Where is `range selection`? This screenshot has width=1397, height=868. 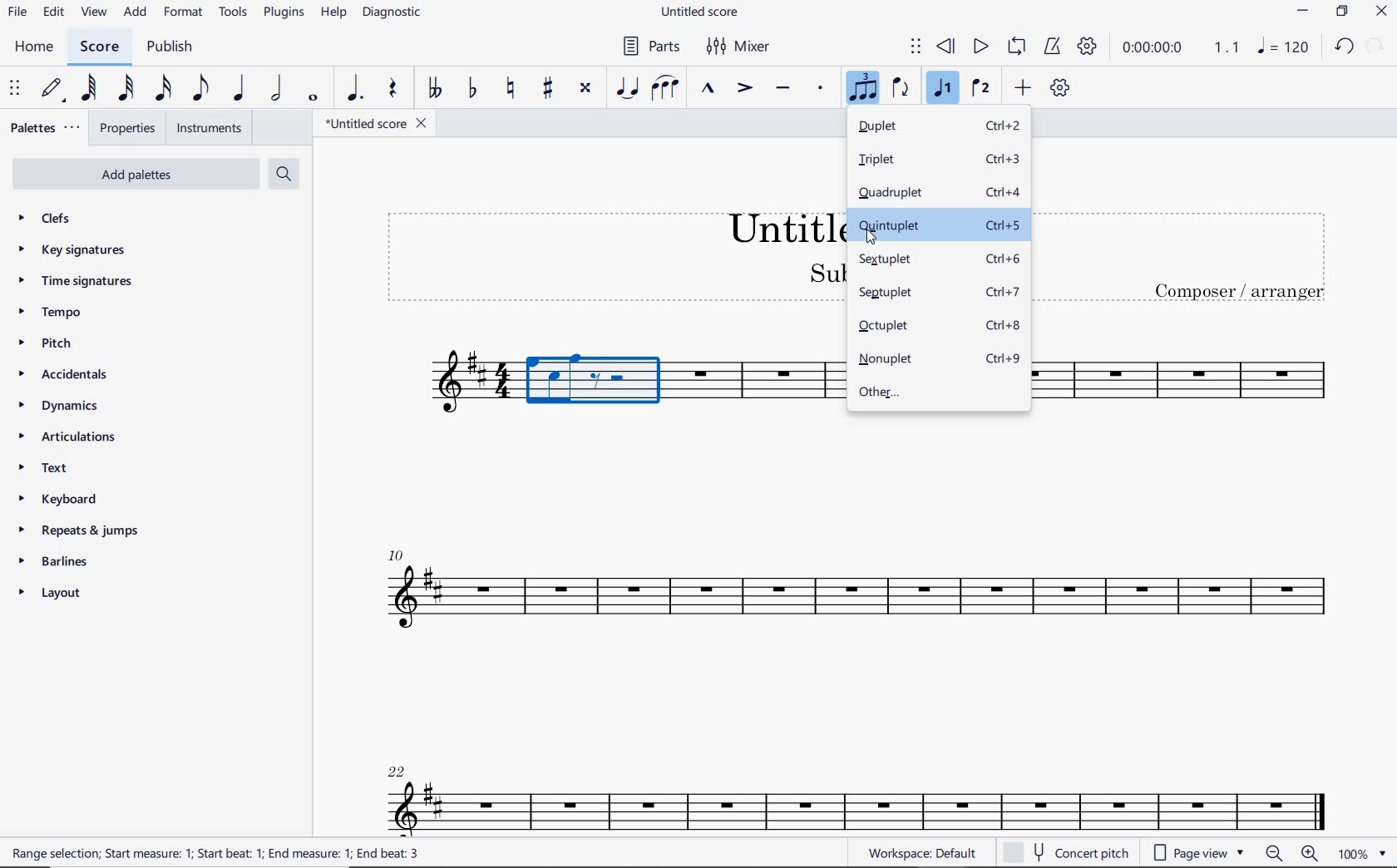
range selection is located at coordinates (215, 853).